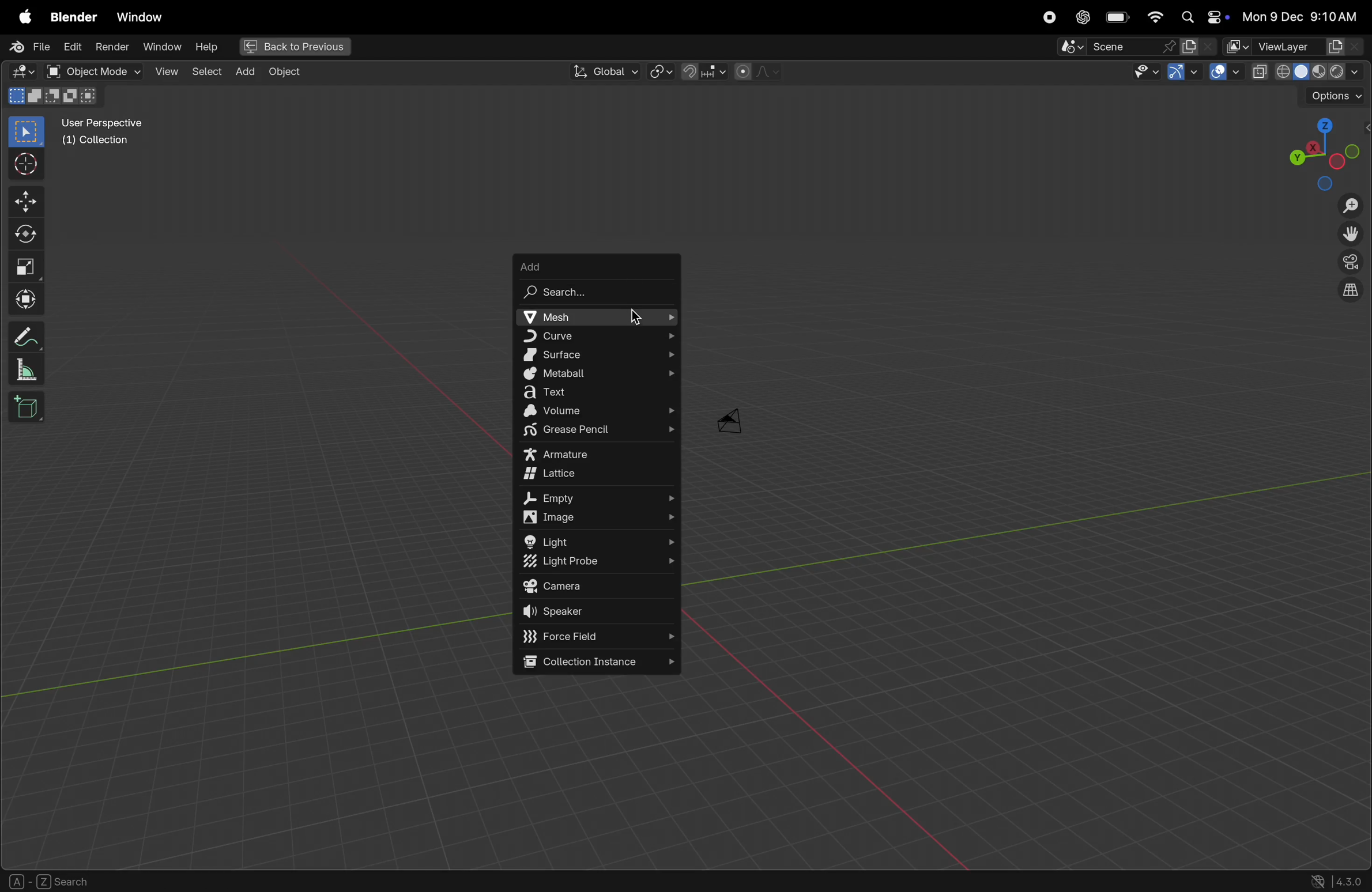 The width and height of the screenshot is (1372, 892). Describe the element at coordinates (596, 663) in the screenshot. I see `collection instance` at that location.